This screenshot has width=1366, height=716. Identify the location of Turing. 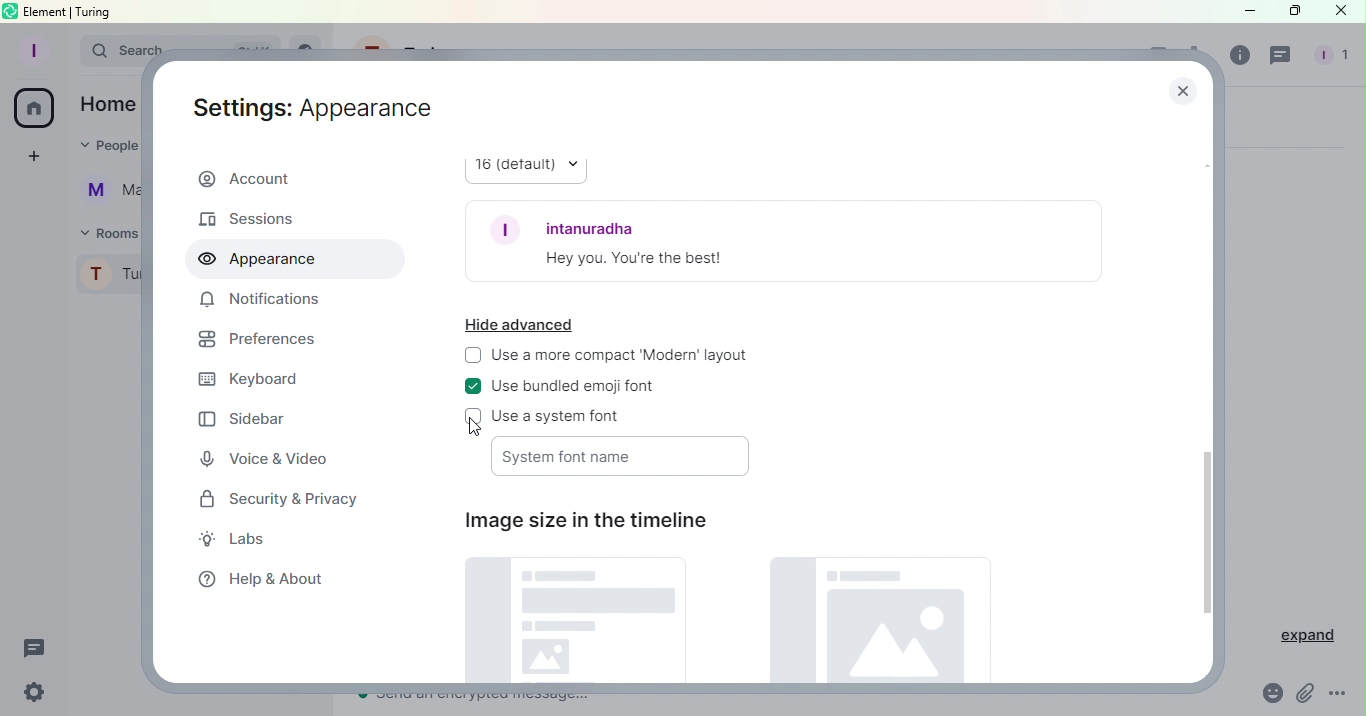
(109, 271).